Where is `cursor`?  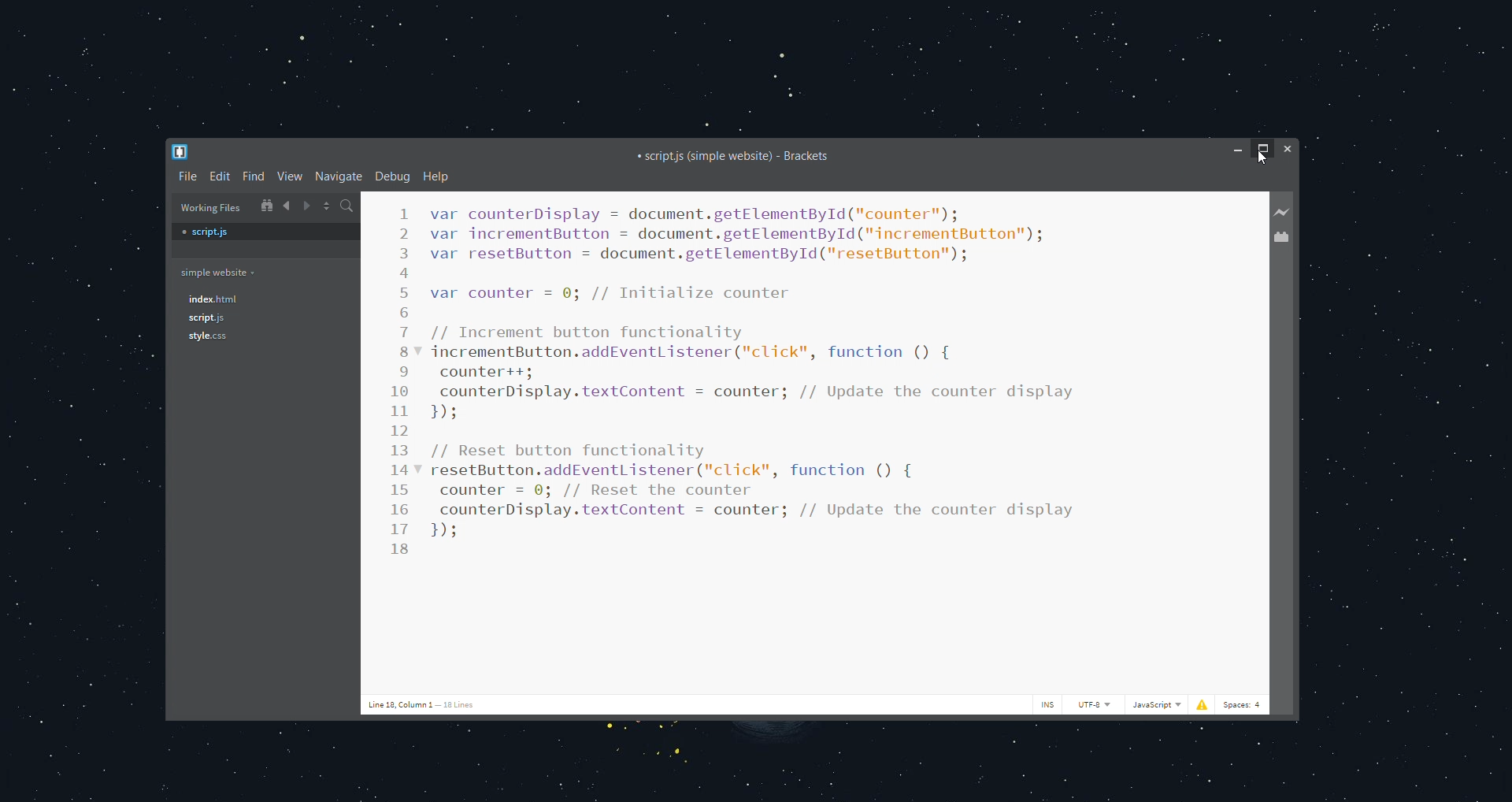 cursor is located at coordinates (1265, 160).